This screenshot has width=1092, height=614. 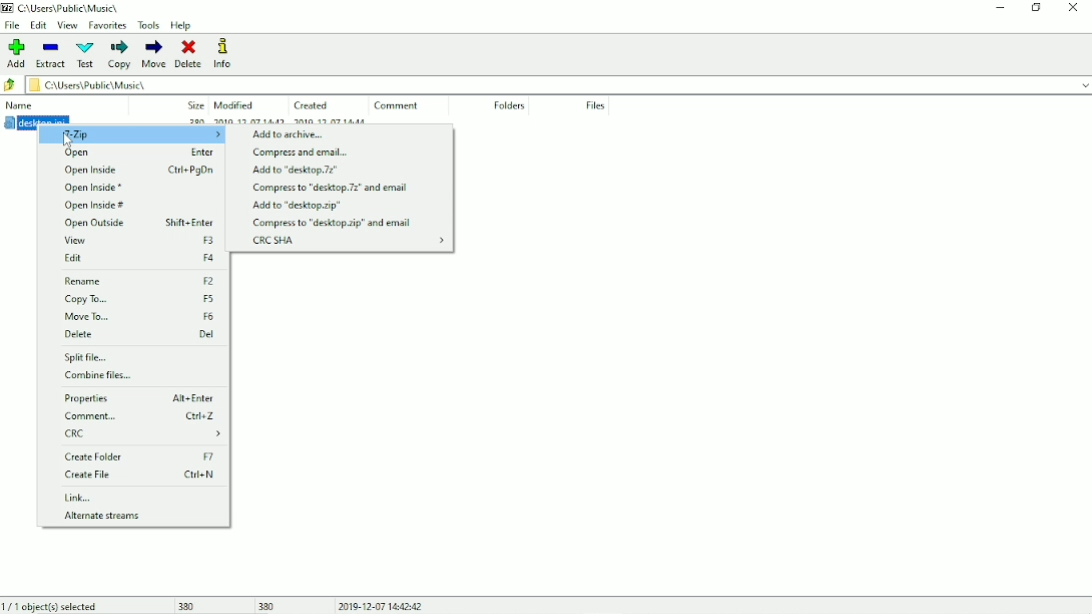 What do you see at coordinates (119, 55) in the screenshot?
I see `Copy` at bounding box center [119, 55].